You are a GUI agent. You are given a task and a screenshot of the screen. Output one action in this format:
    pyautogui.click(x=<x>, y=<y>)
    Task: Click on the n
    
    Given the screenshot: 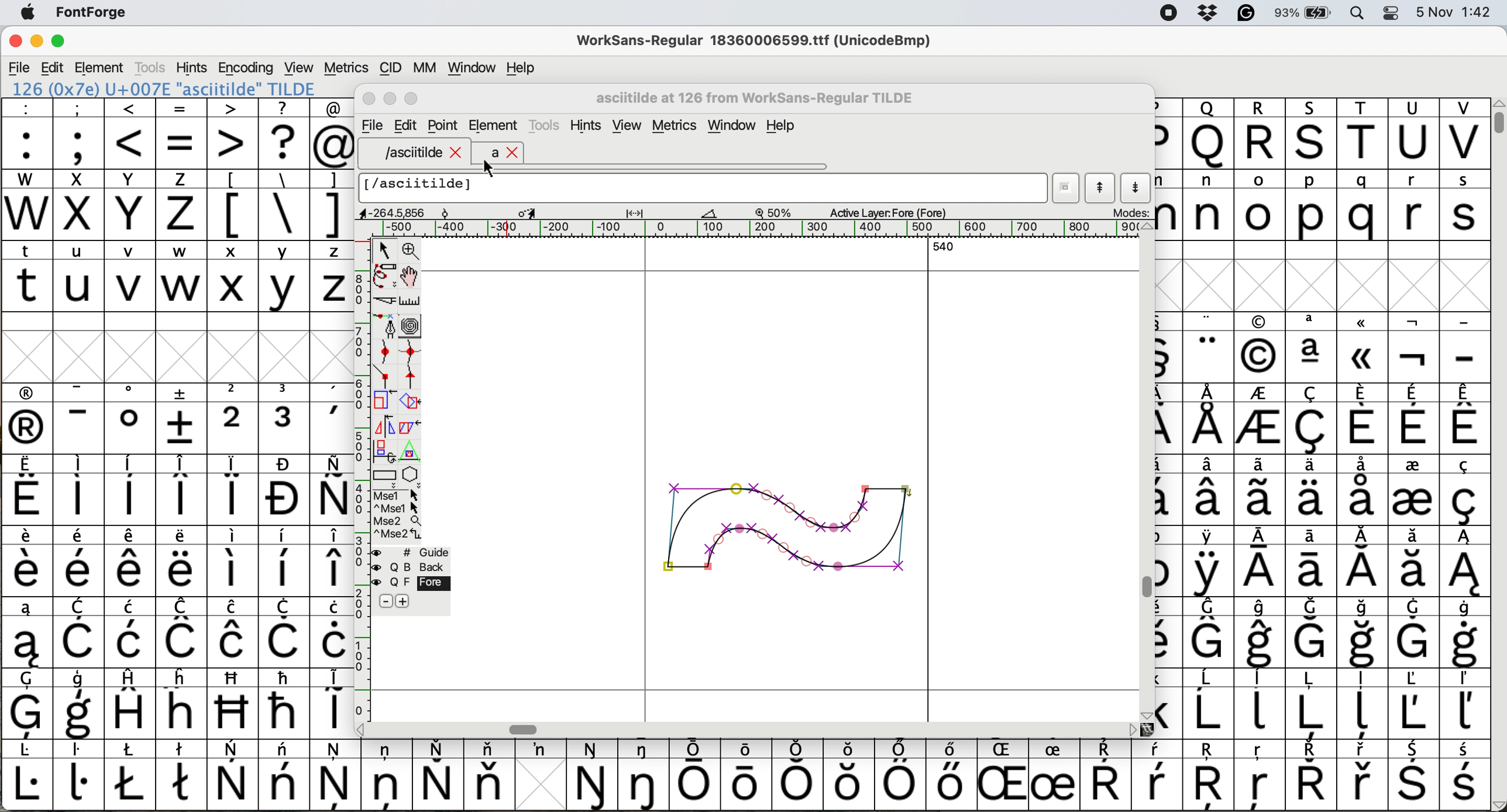 What is the action you would take?
    pyautogui.click(x=1208, y=204)
    